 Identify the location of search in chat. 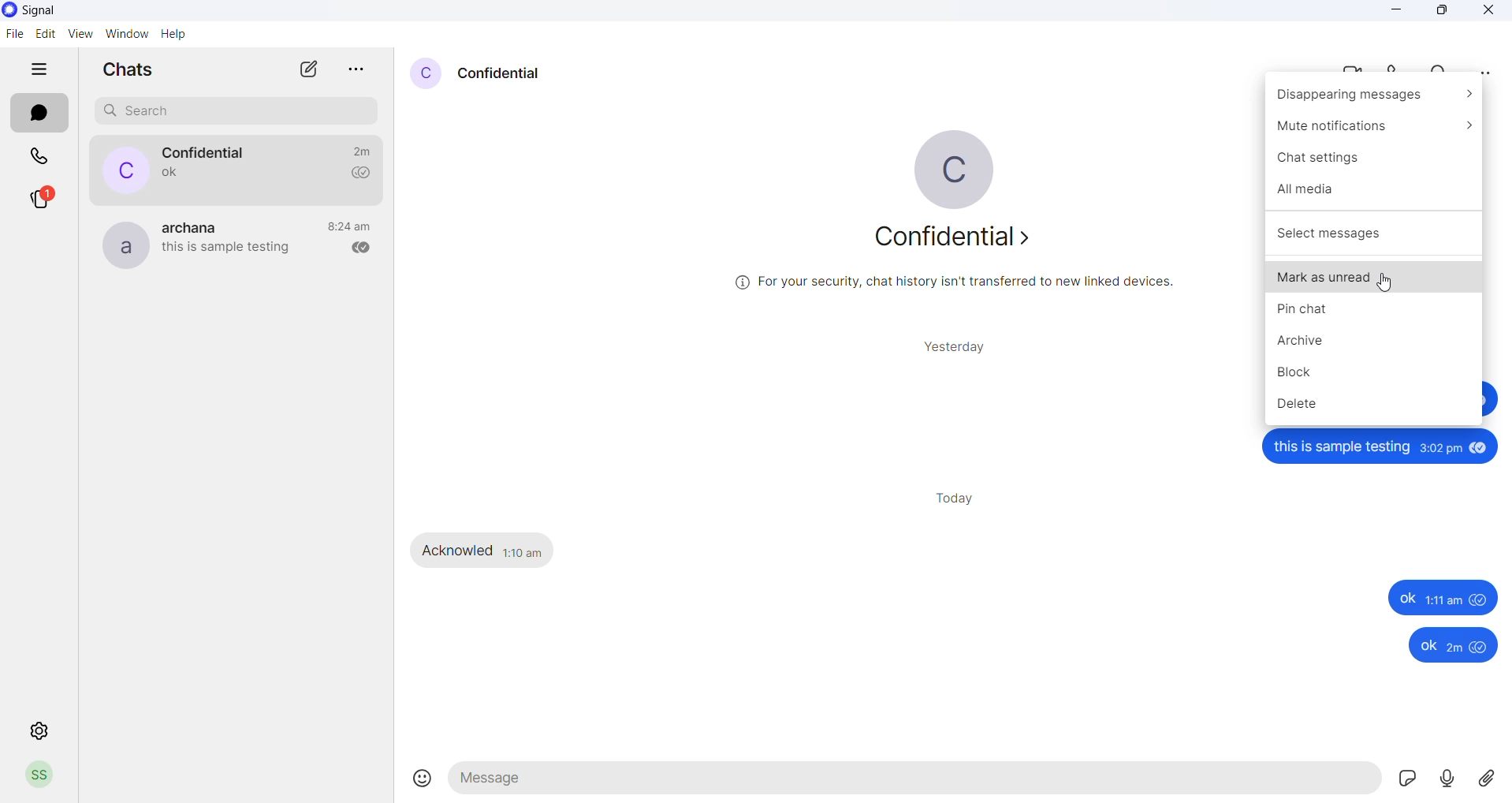
(1437, 67).